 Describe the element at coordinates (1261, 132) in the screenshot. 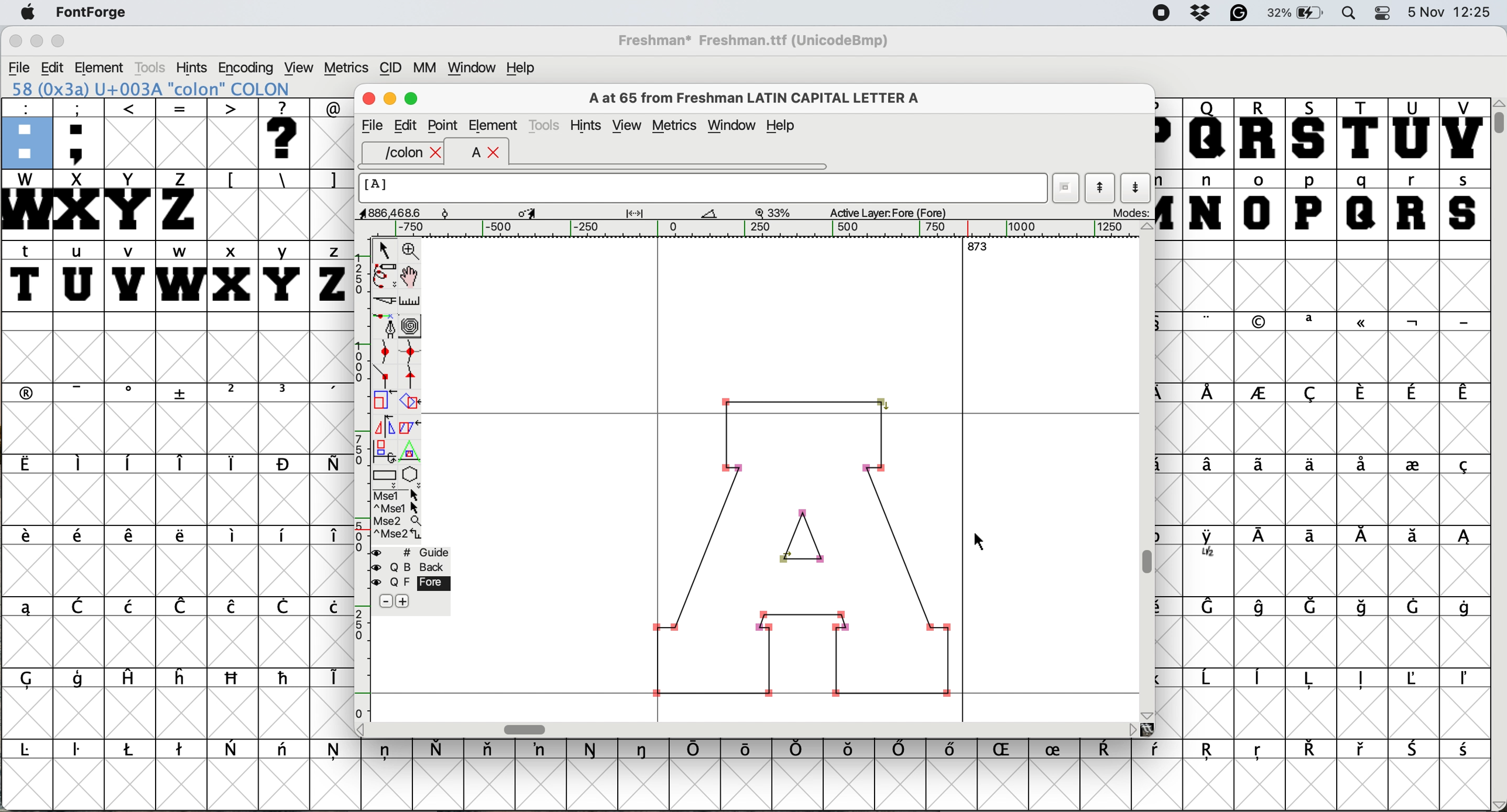

I see `R` at that location.